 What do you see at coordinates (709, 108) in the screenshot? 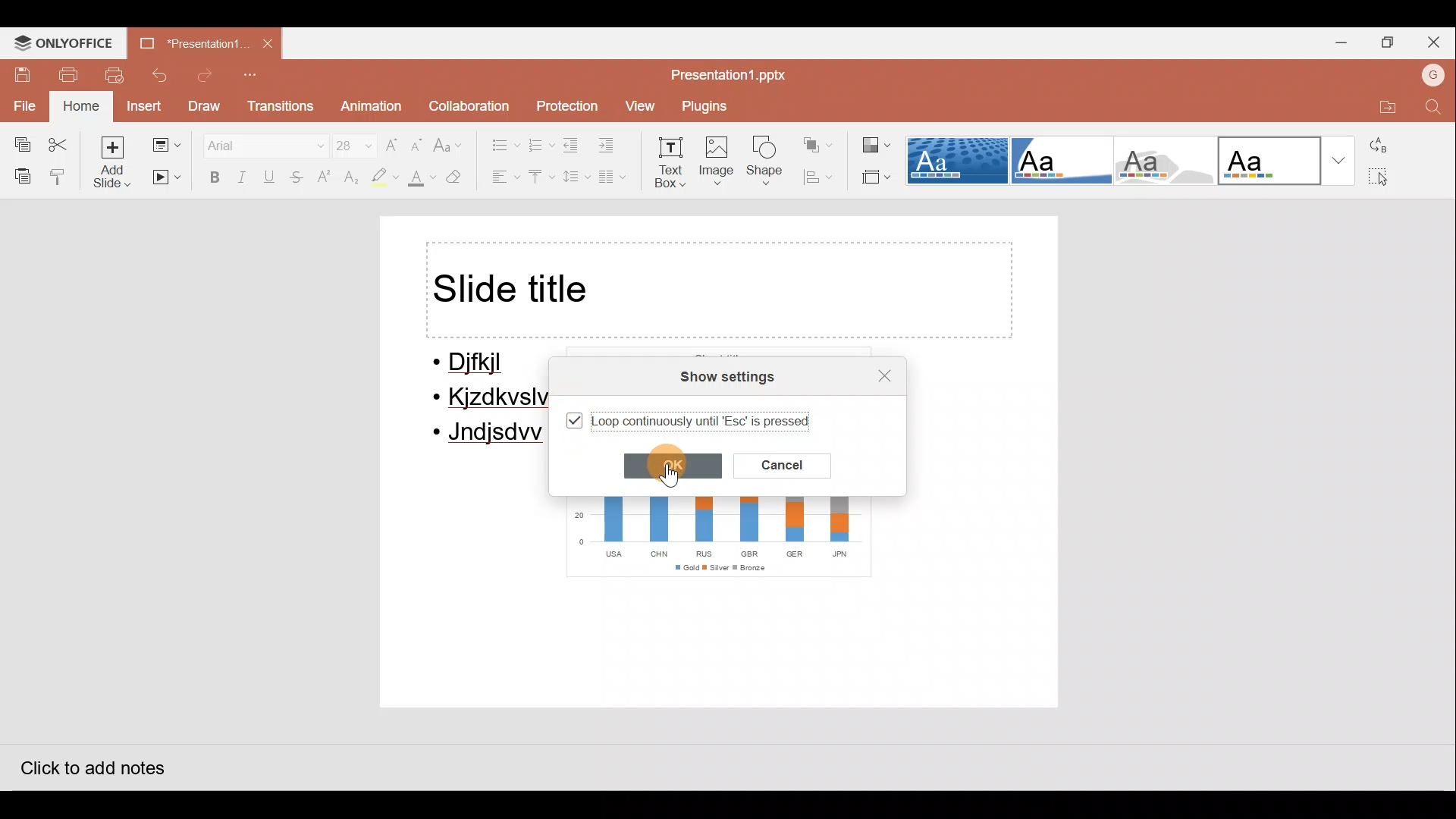
I see `Plugins` at bounding box center [709, 108].